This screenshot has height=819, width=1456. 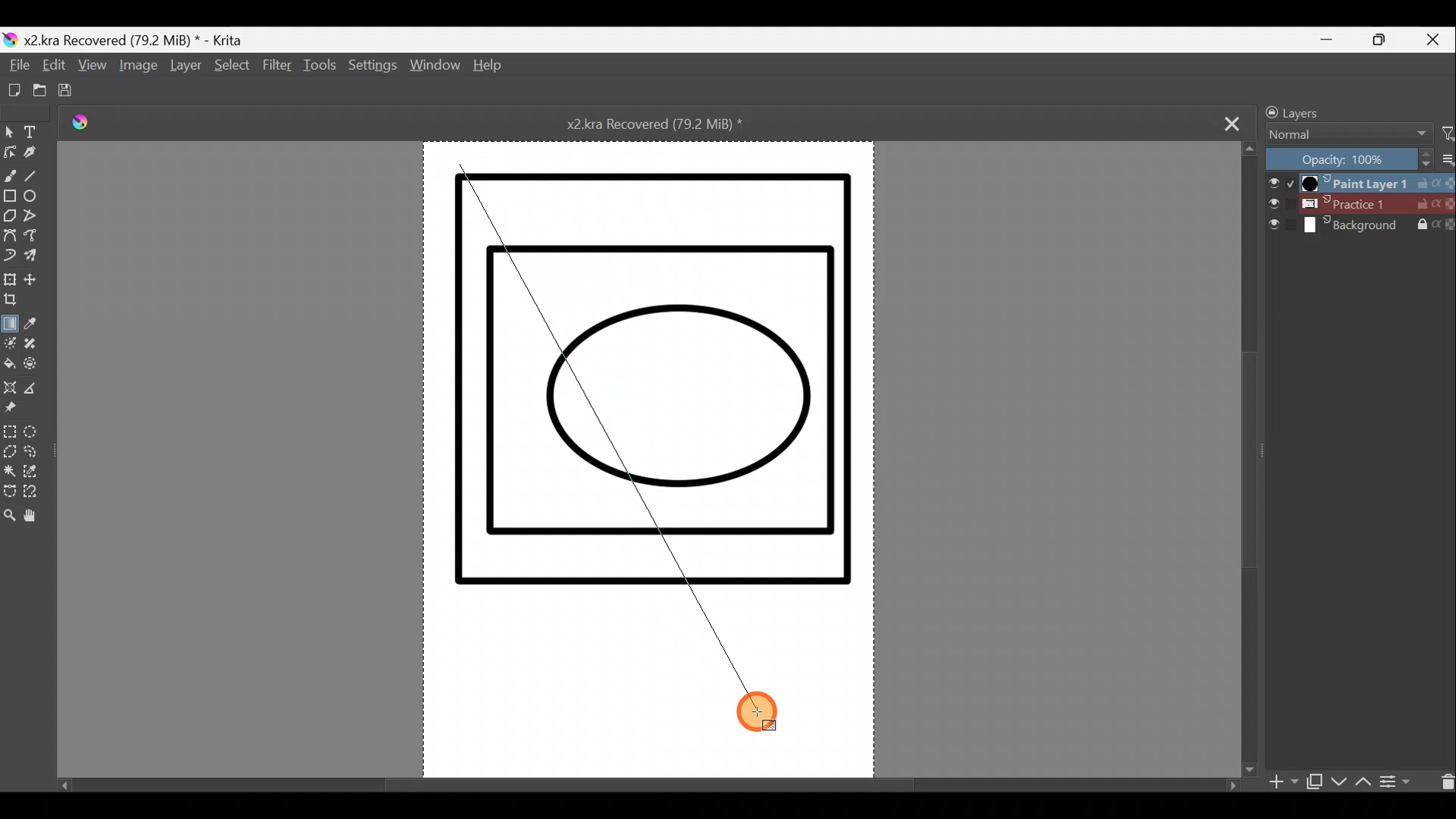 I want to click on Move layer/mask down, so click(x=1337, y=782).